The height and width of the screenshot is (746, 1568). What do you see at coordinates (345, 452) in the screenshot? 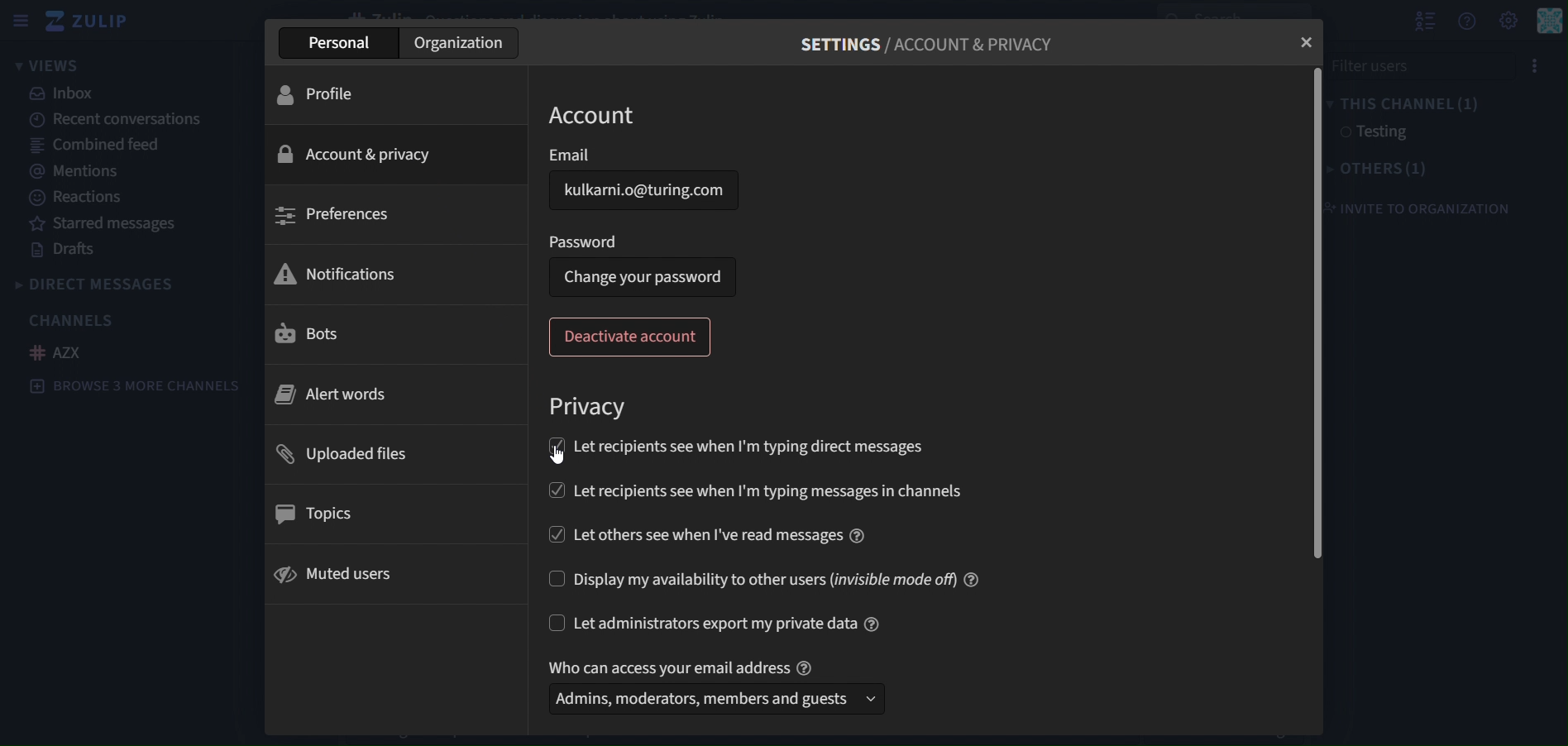
I see `uploaded files` at bounding box center [345, 452].